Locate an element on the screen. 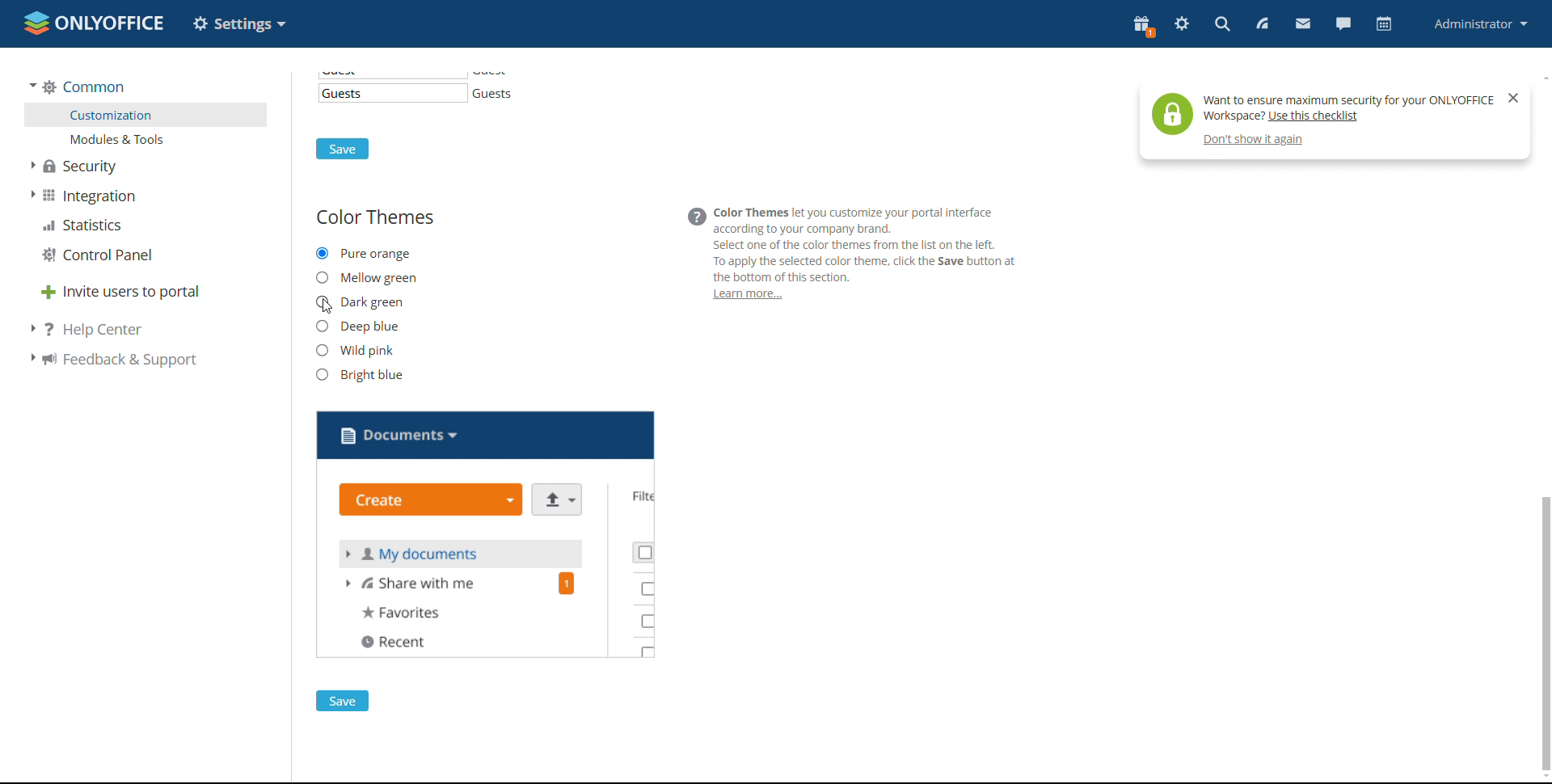  calendar is located at coordinates (1382, 27).